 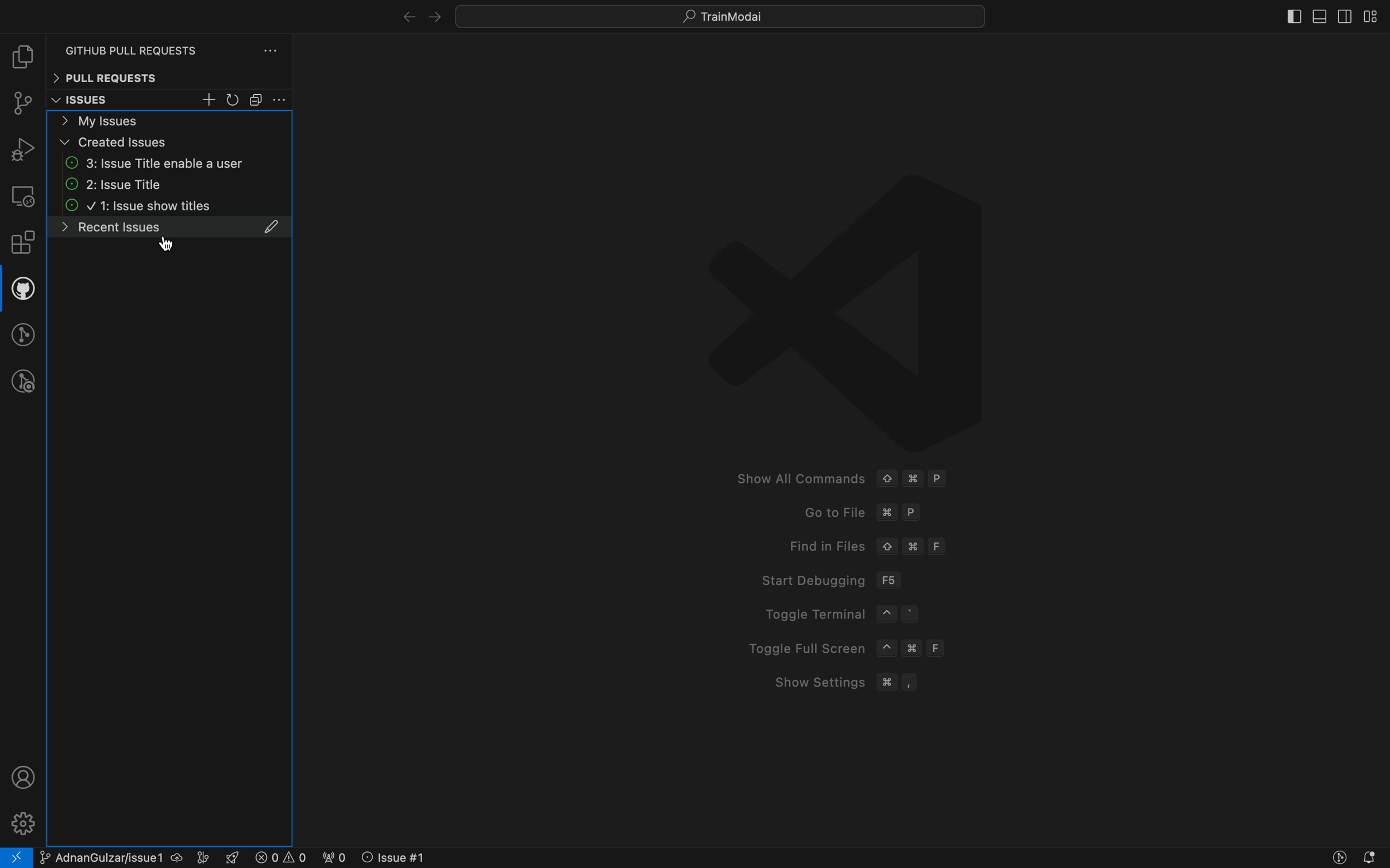 I want to click on github pull request and issues, so click(x=22, y=291).